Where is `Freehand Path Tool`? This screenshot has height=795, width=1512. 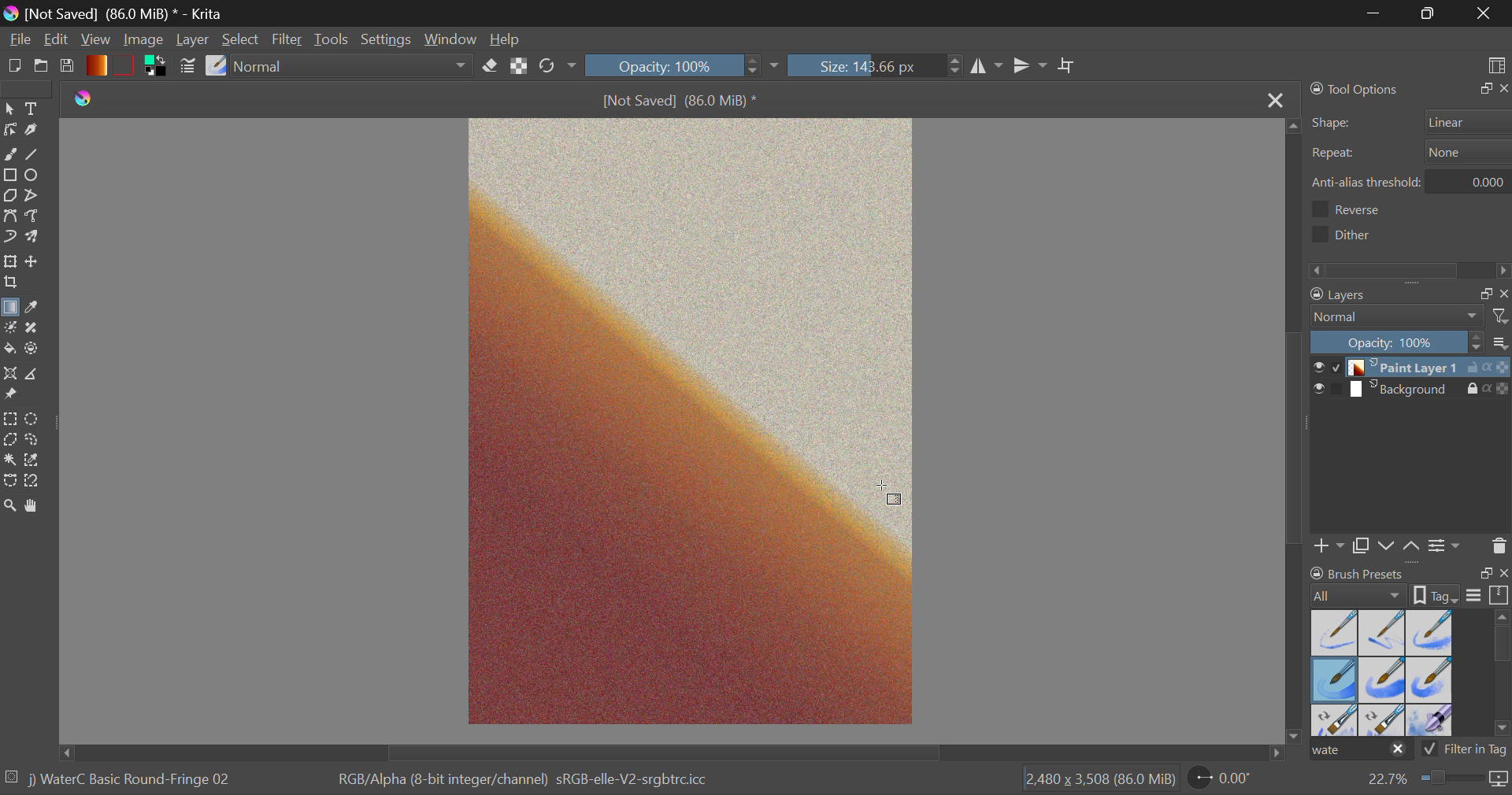 Freehand Path Tool is located at coordinates (37, 219).